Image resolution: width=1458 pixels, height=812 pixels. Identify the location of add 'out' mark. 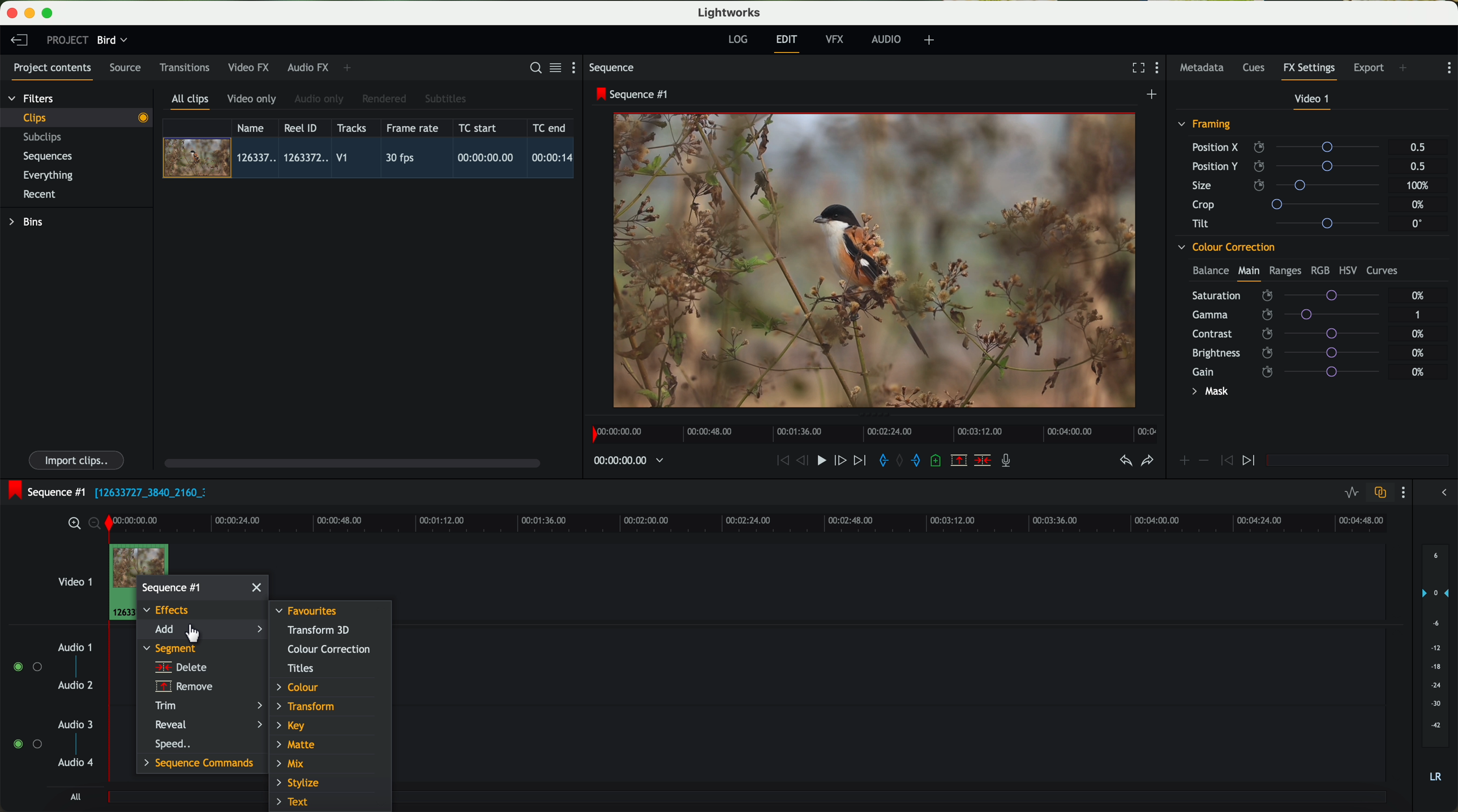
(921, 459).